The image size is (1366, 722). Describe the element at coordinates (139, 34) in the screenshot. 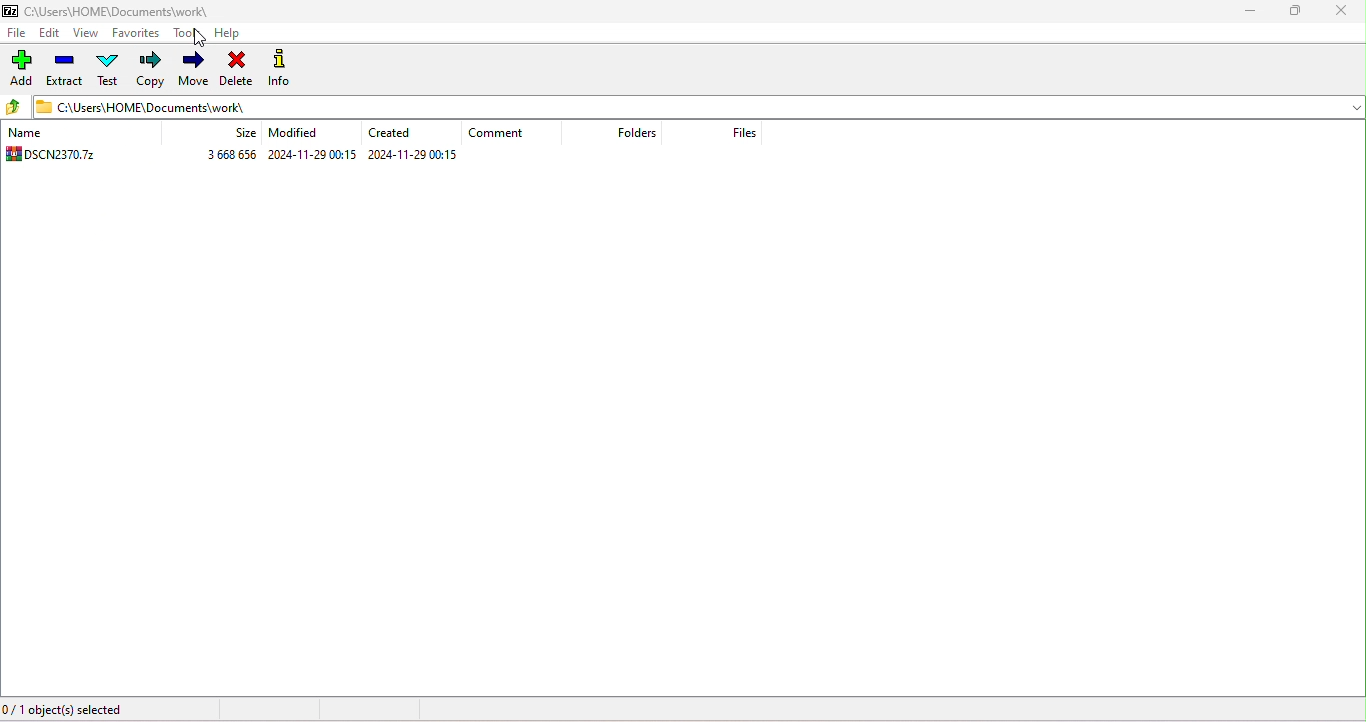

I see `favorites` at that location.